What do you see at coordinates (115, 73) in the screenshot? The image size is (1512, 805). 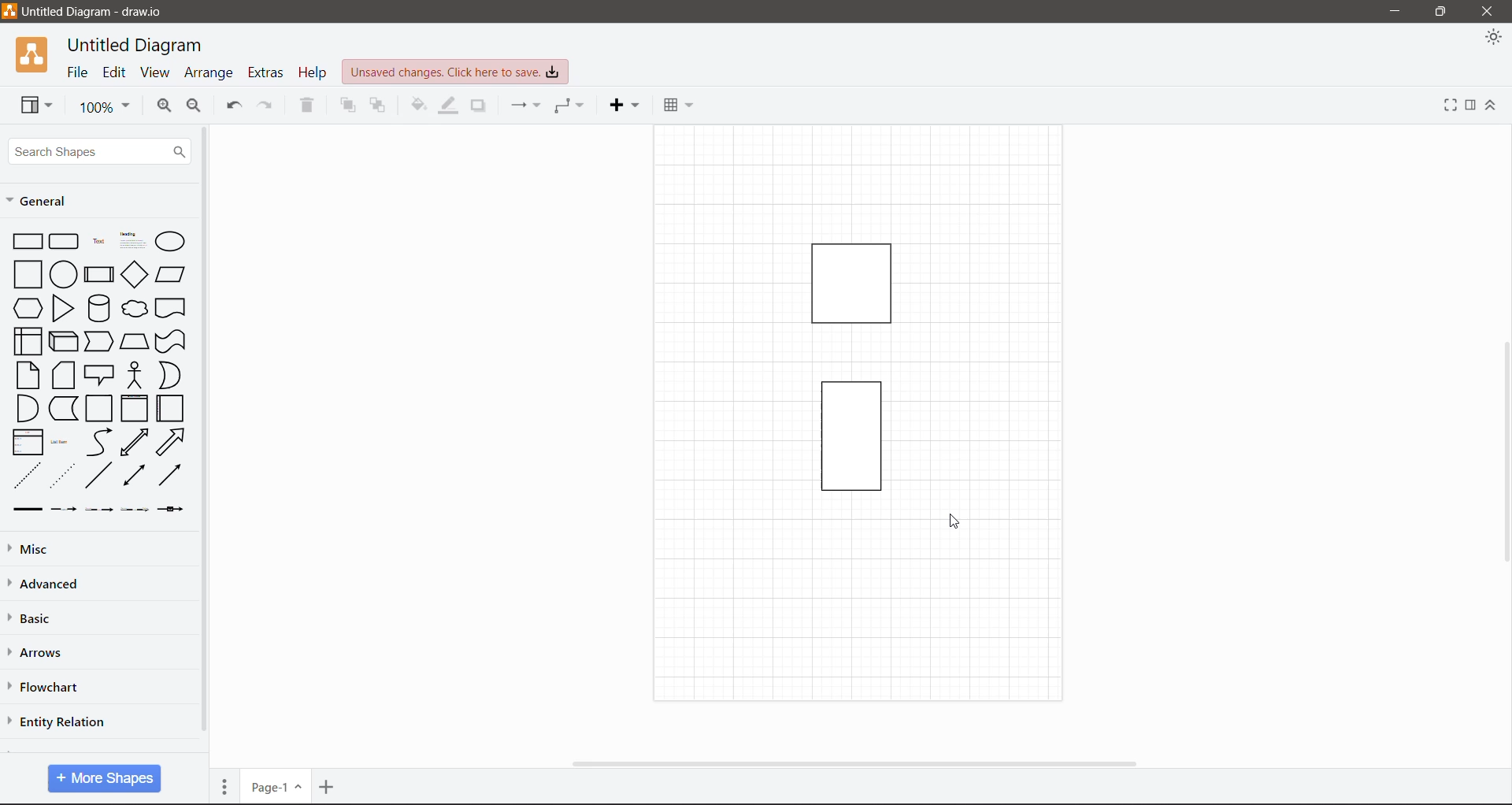 I see `Edit` at bounding box center [115, 73].